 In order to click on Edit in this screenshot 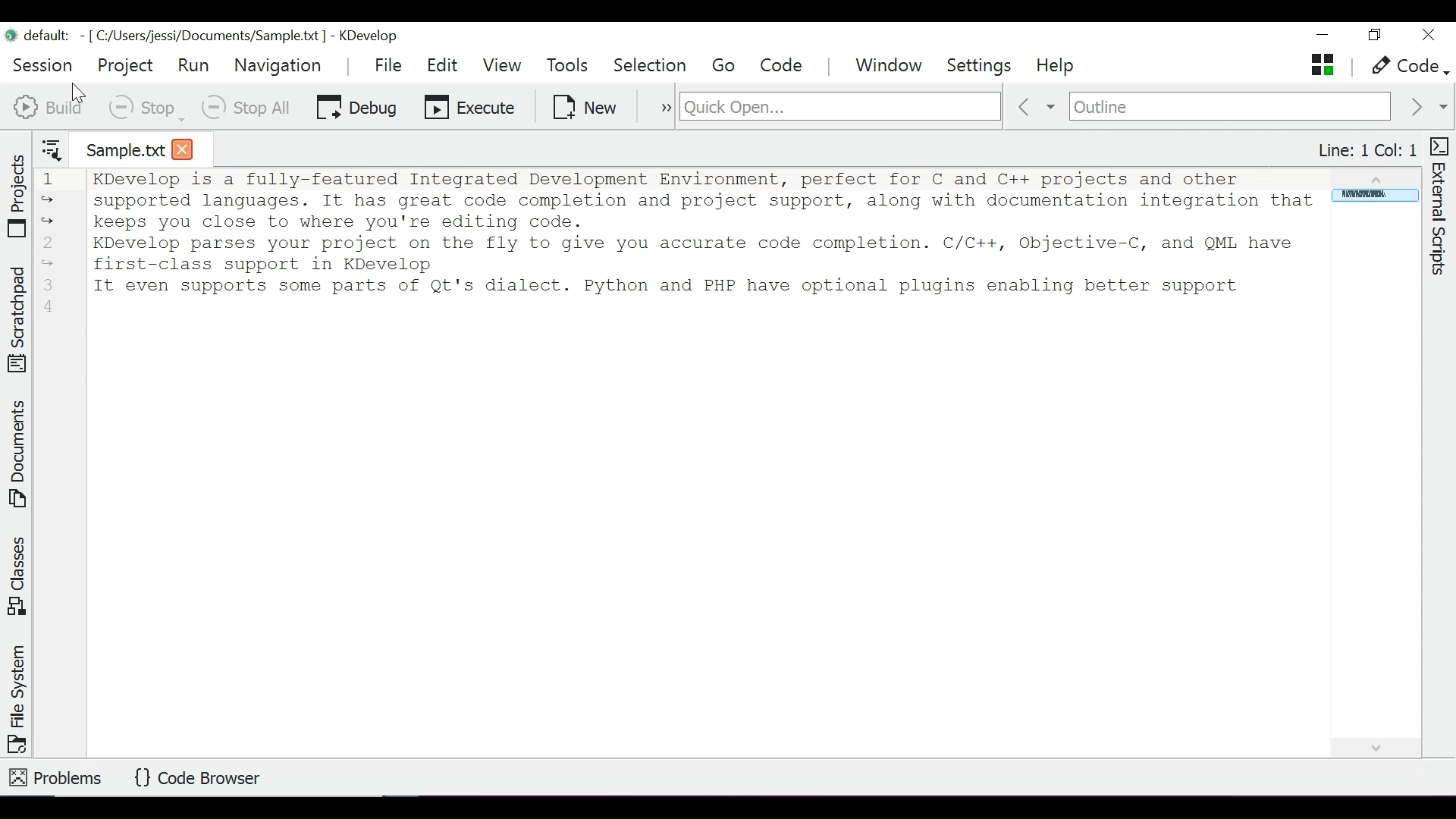, I will do `click(443, 67)`.